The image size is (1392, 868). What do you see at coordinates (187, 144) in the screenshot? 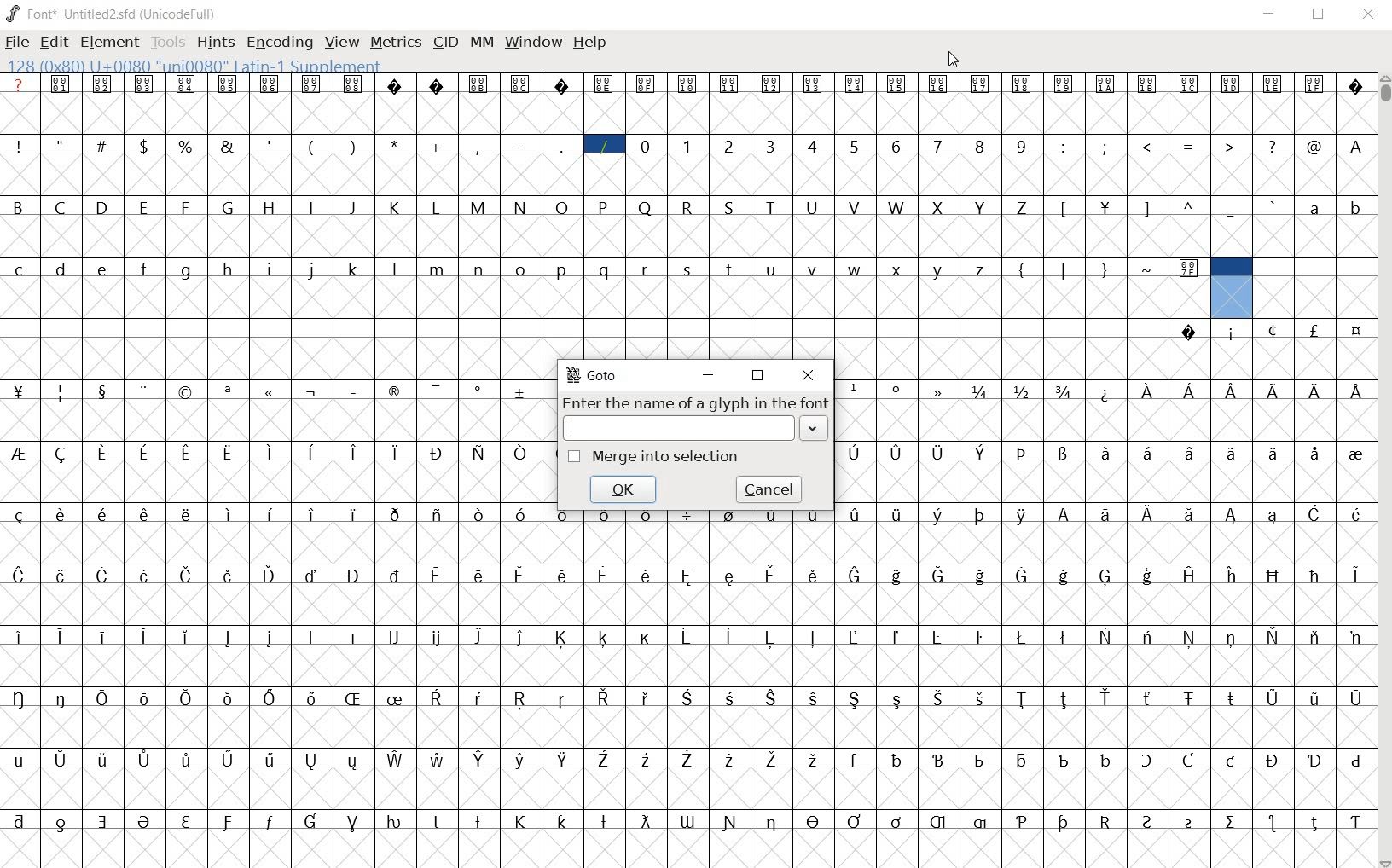
I see `%` at bounding box center [187, 144].